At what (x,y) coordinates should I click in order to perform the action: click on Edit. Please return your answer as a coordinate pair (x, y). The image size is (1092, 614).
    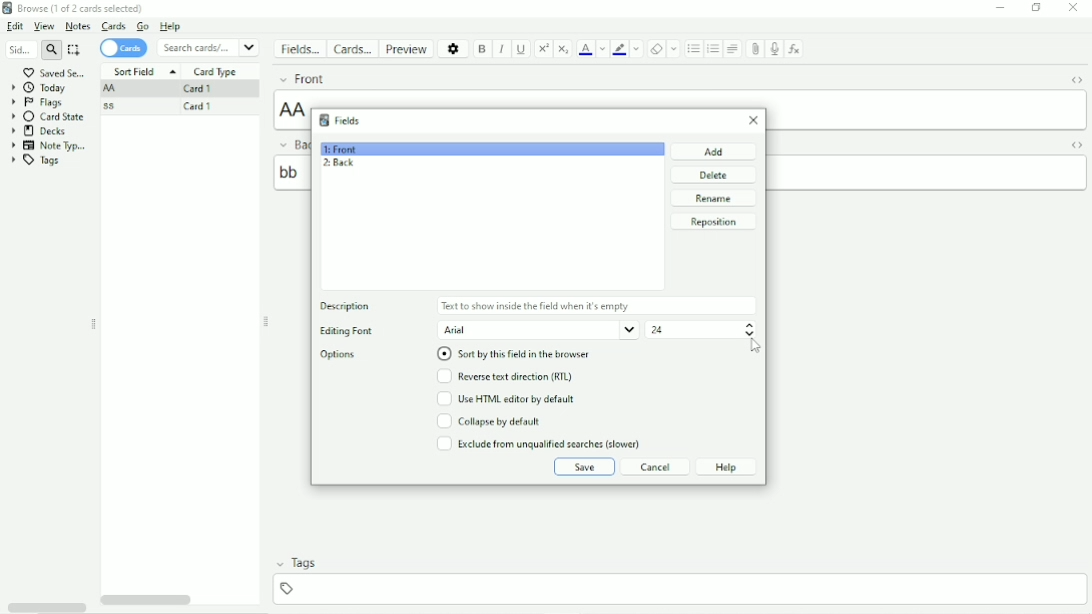
    Looking at the image, I should click on (16, 26).